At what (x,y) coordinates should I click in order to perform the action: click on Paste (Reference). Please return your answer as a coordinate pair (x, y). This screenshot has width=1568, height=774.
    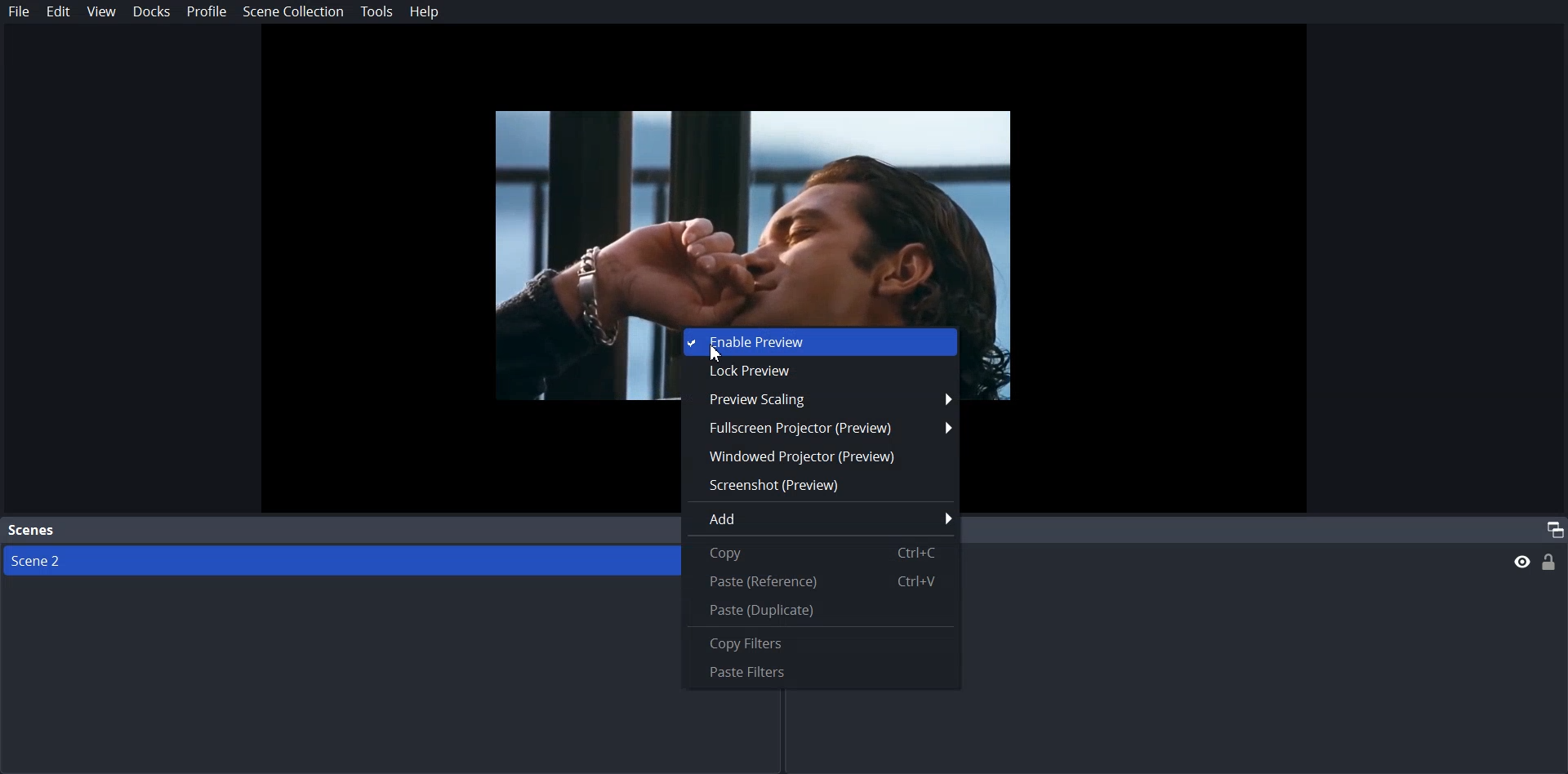
    Looking at the image, I should click on (817, 581).